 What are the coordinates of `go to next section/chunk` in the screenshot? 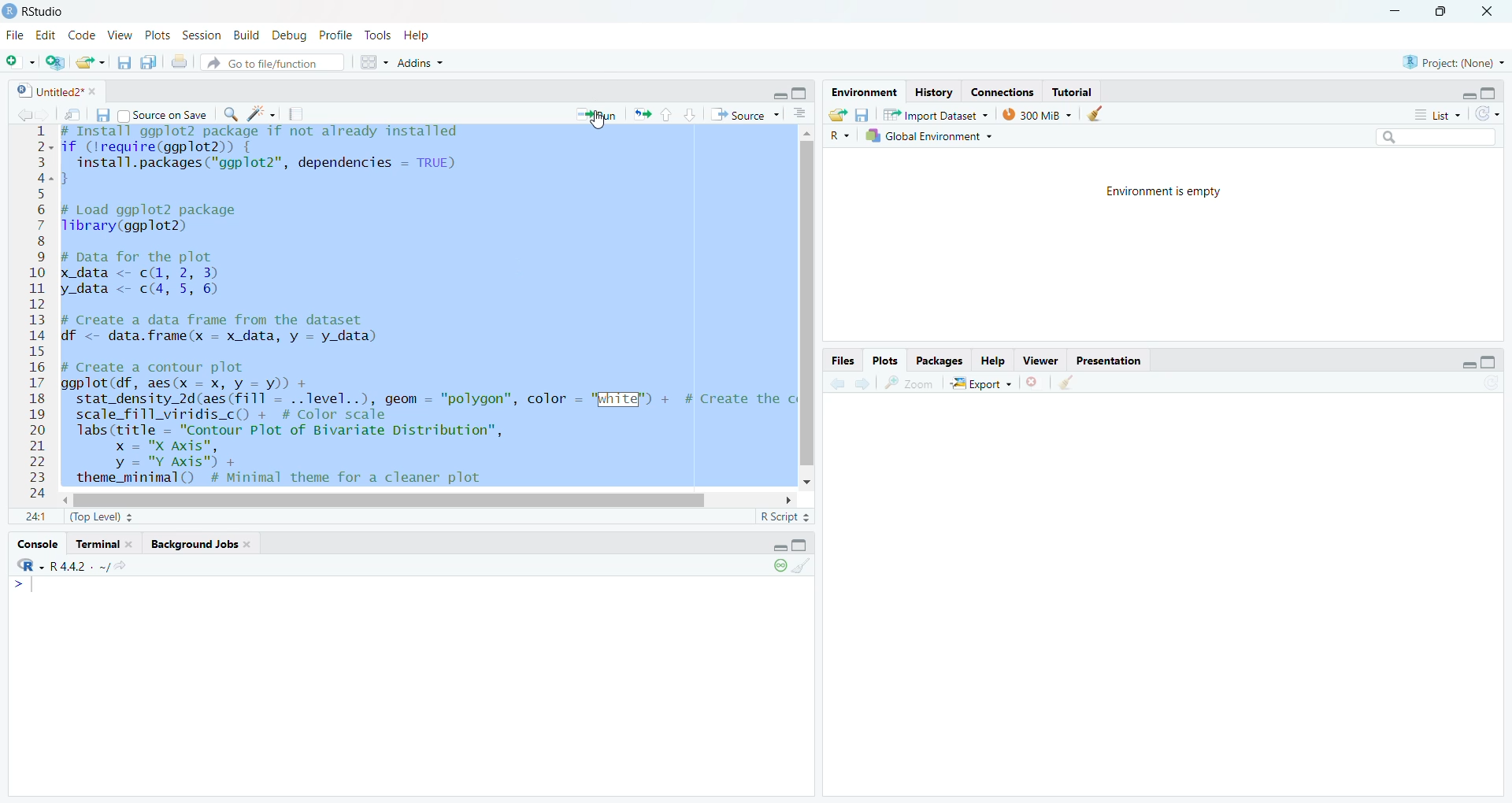 It's located at (688, 115).